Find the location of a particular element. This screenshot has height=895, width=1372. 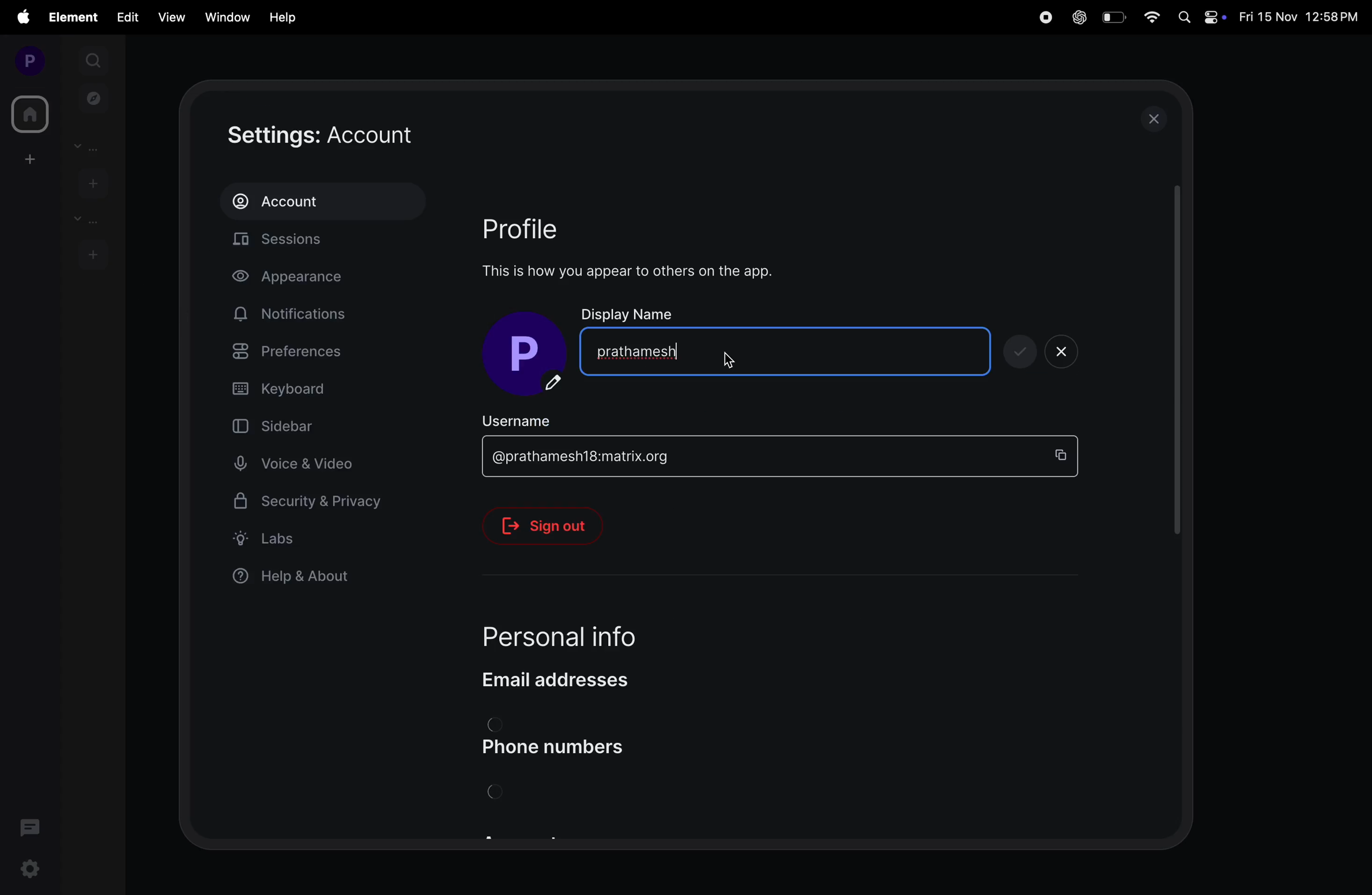

battery is located at coordinates (1113, 17).